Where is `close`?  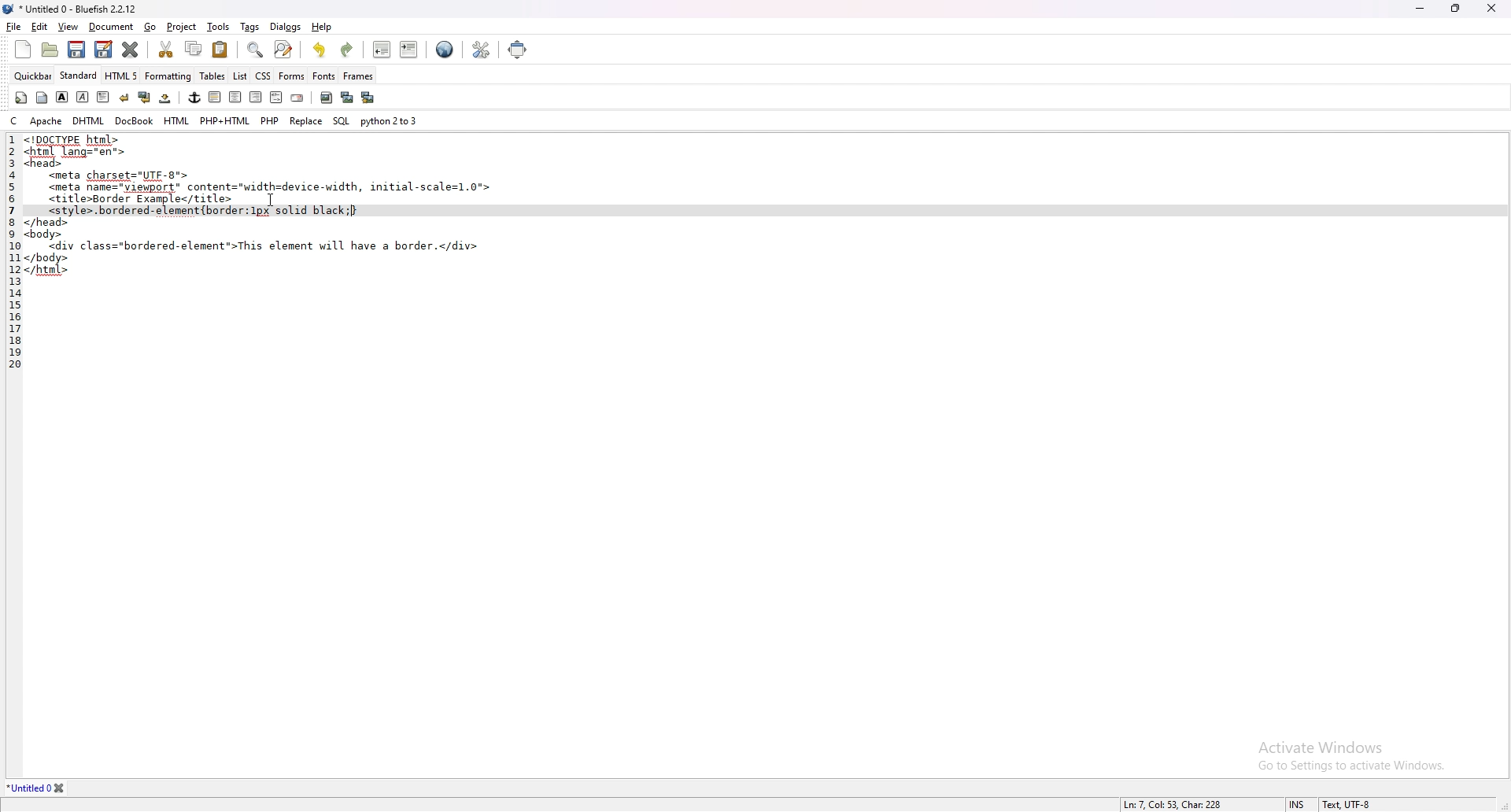
close is located at coordinates (1491, 7).